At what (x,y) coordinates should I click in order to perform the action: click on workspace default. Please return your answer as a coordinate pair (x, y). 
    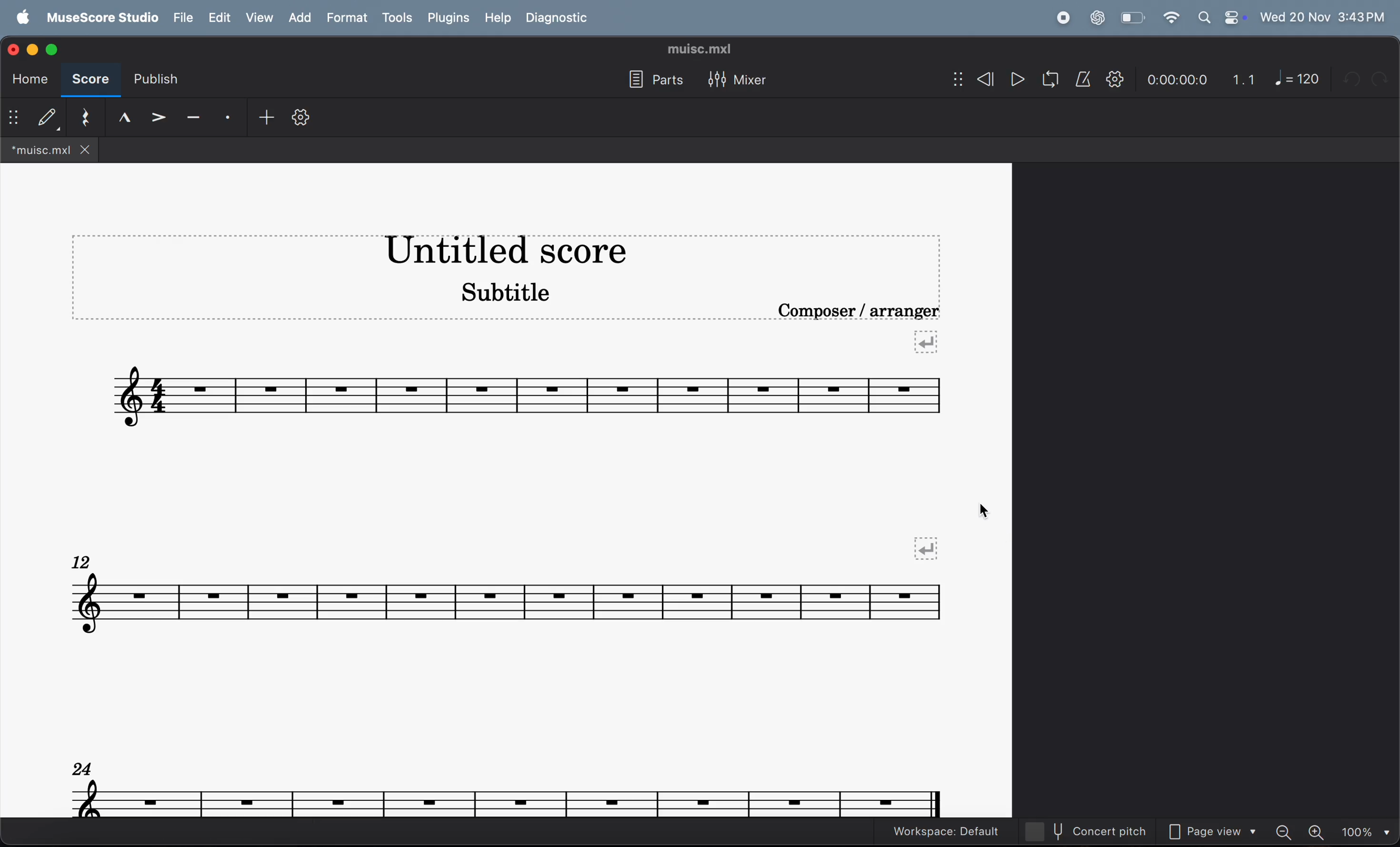
    Looking at the image, I should click on (939, 832).